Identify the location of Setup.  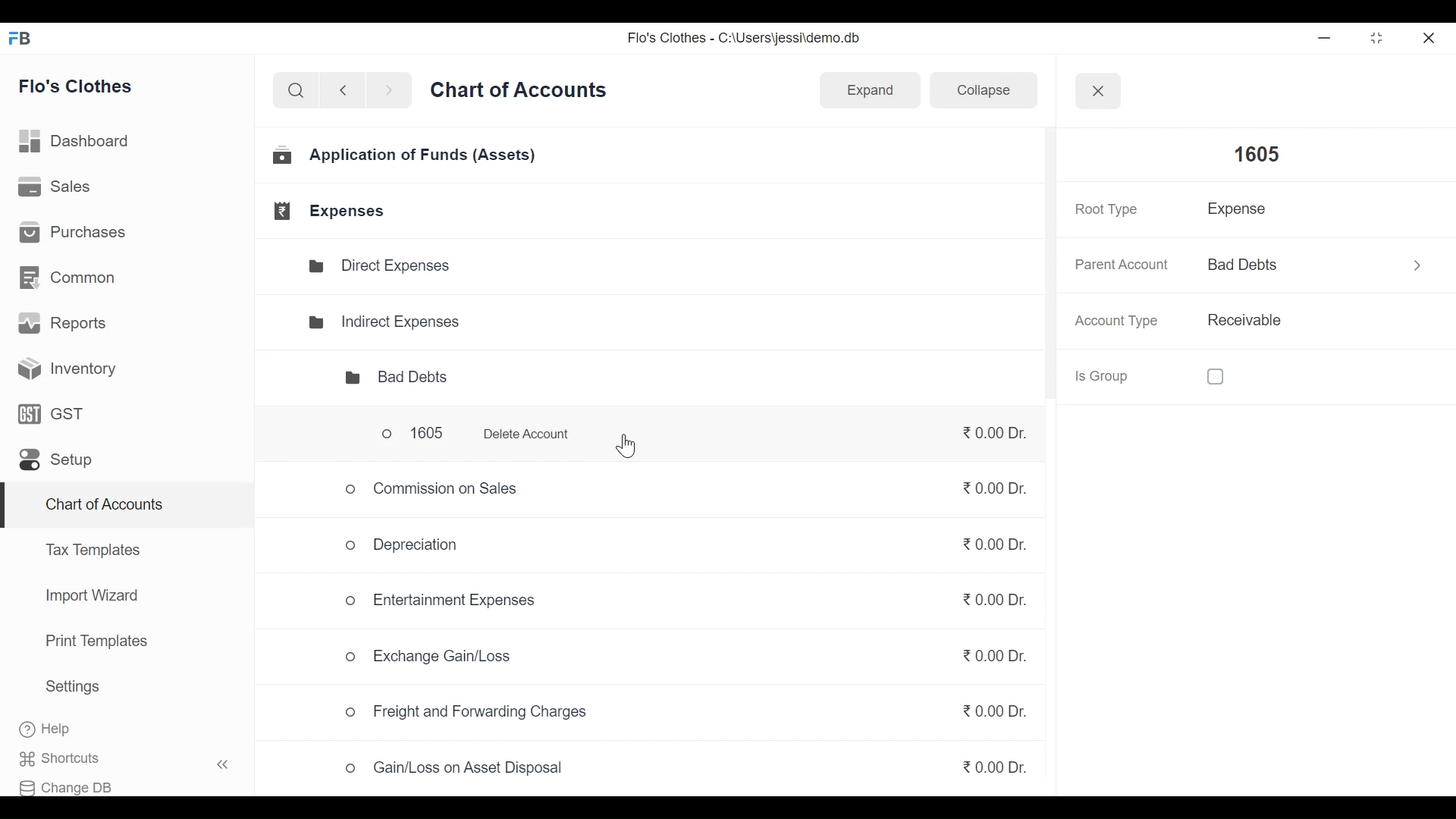
(55, 463).